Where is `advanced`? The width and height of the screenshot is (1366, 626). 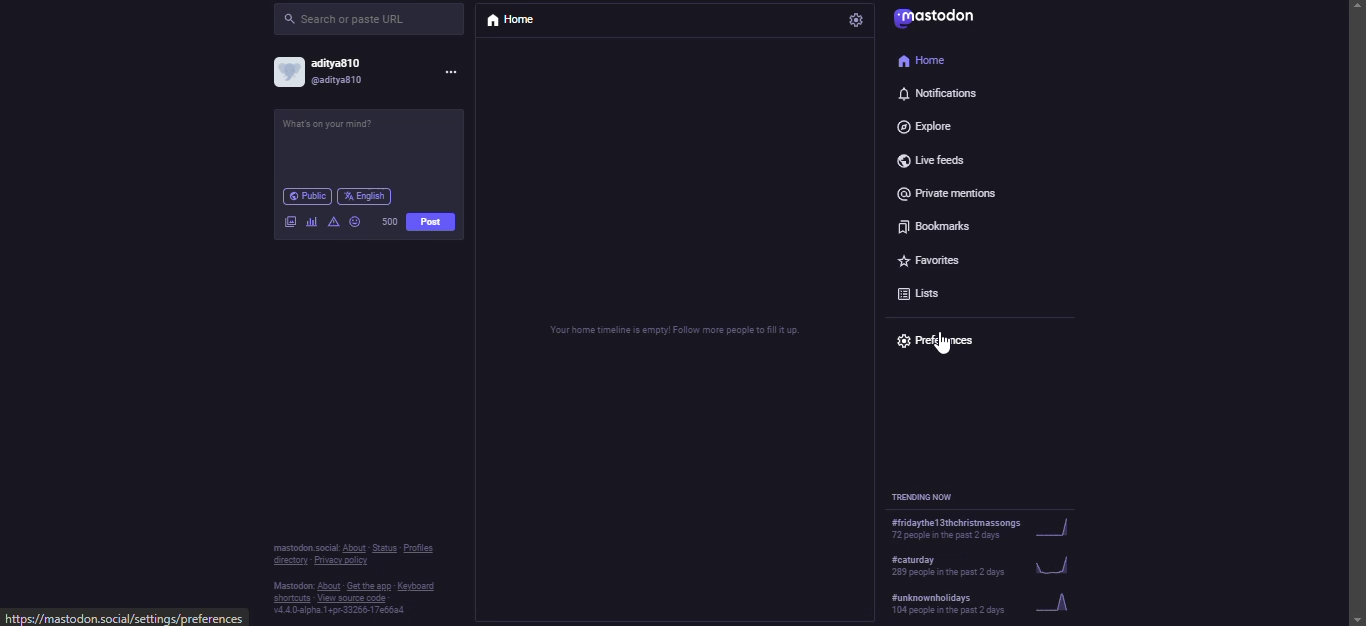
advanced is located at coordinates (333, 220).